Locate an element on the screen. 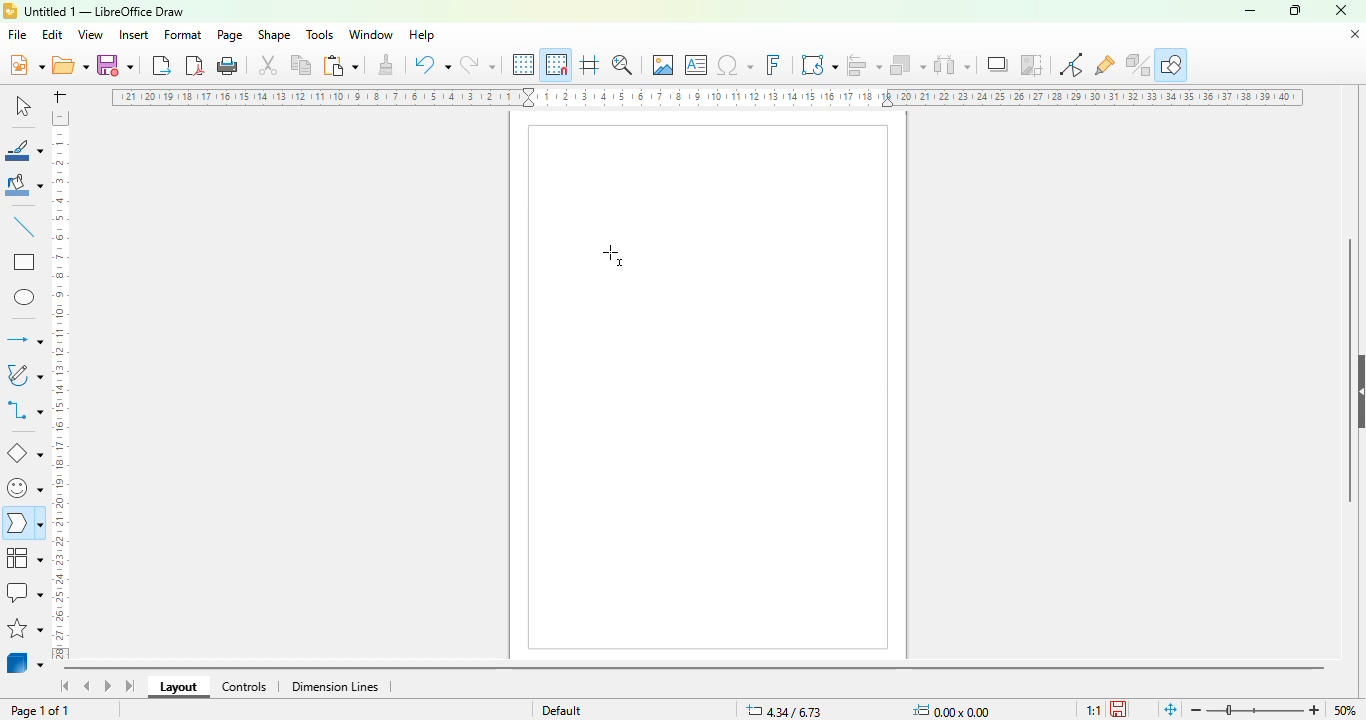 Image resolution: width=1366 pixels, height=720 pixels. shadow is located at coordinates (997, 64).